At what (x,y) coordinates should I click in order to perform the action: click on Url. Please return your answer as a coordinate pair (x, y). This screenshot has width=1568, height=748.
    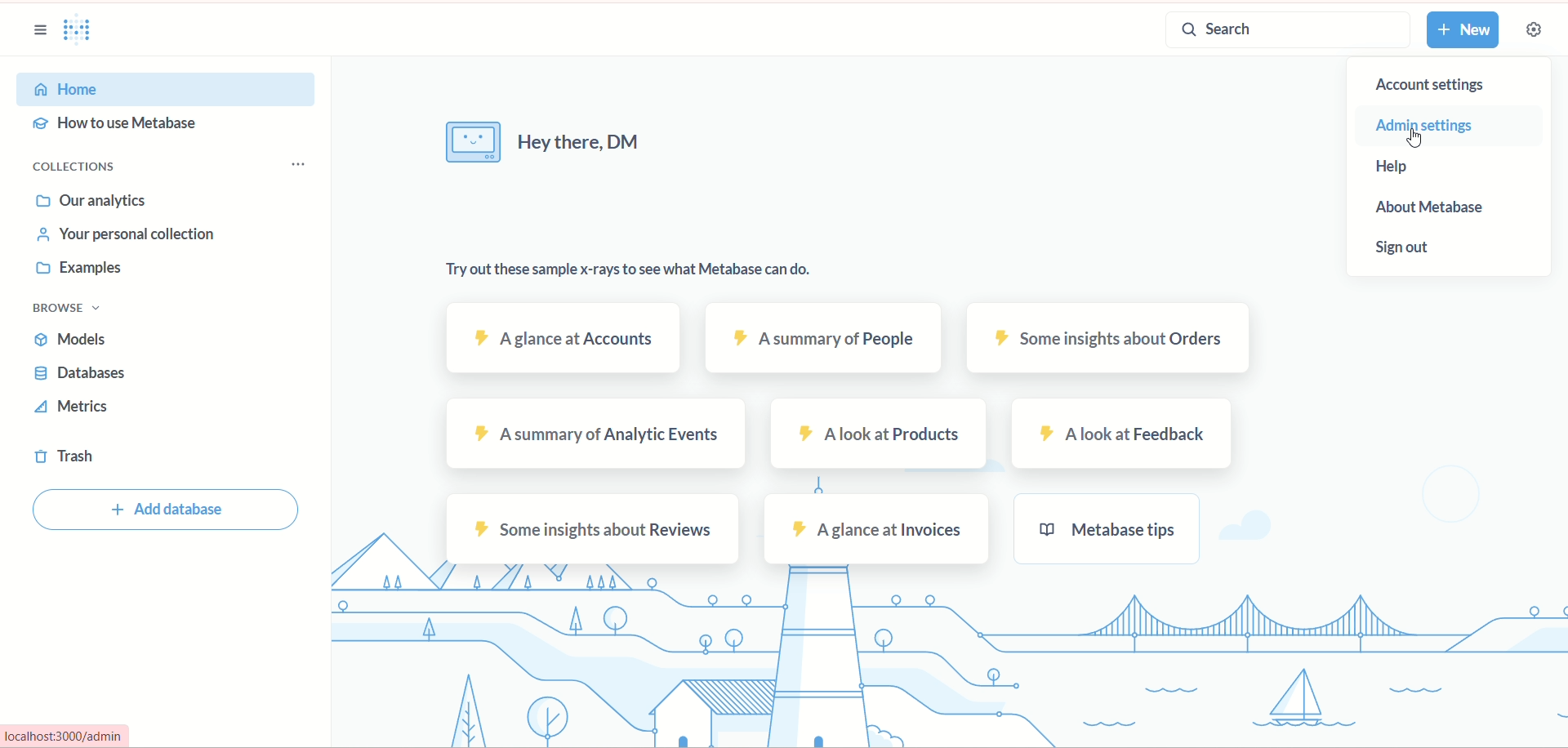
    Looking at the image, I should click on (64, 735).